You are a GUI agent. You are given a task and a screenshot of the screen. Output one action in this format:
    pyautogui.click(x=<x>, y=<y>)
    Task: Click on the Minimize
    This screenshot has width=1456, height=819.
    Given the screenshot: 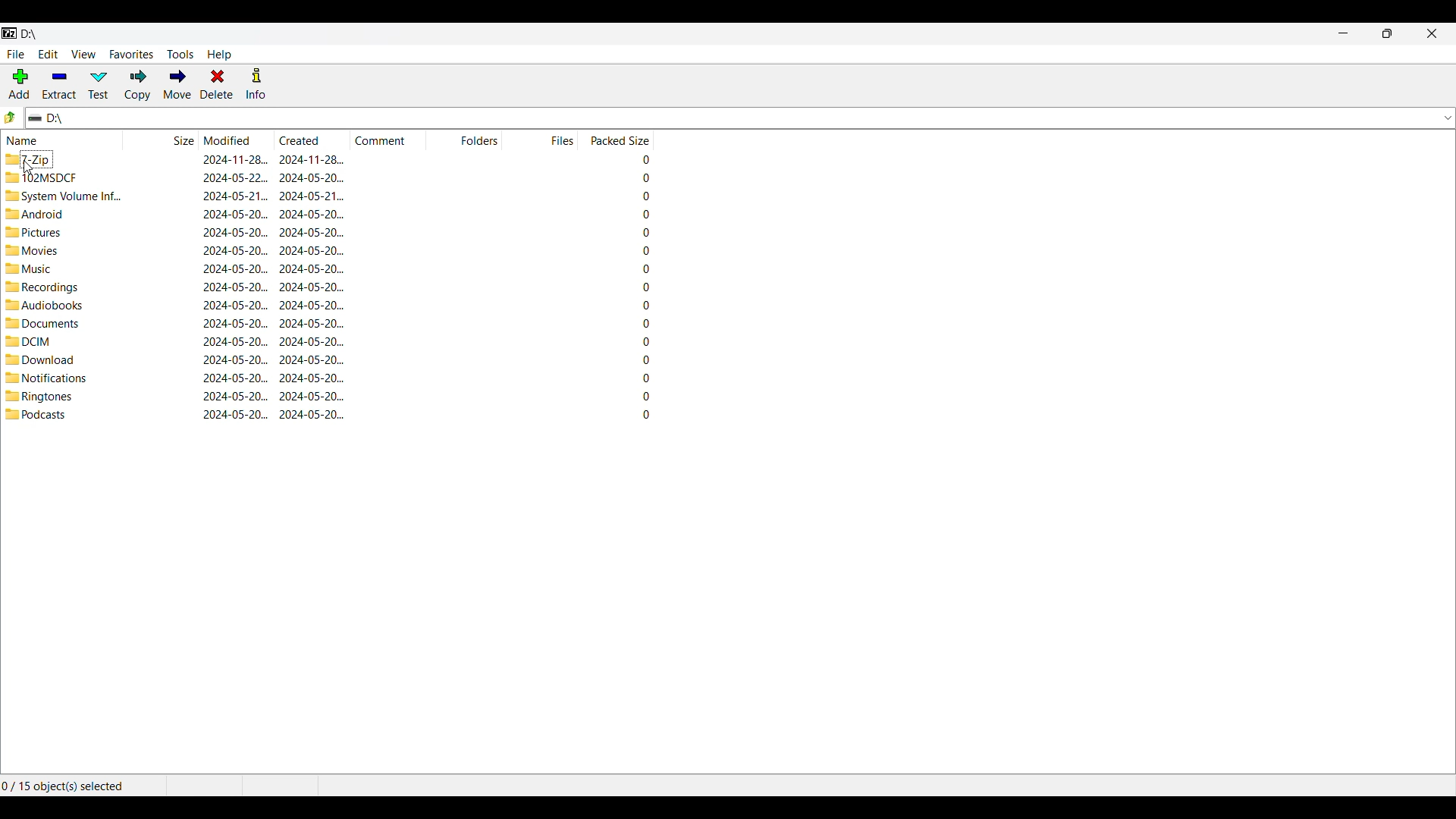 What is the action you would take?
    pyautogui.click(x=1344, y=33)
    